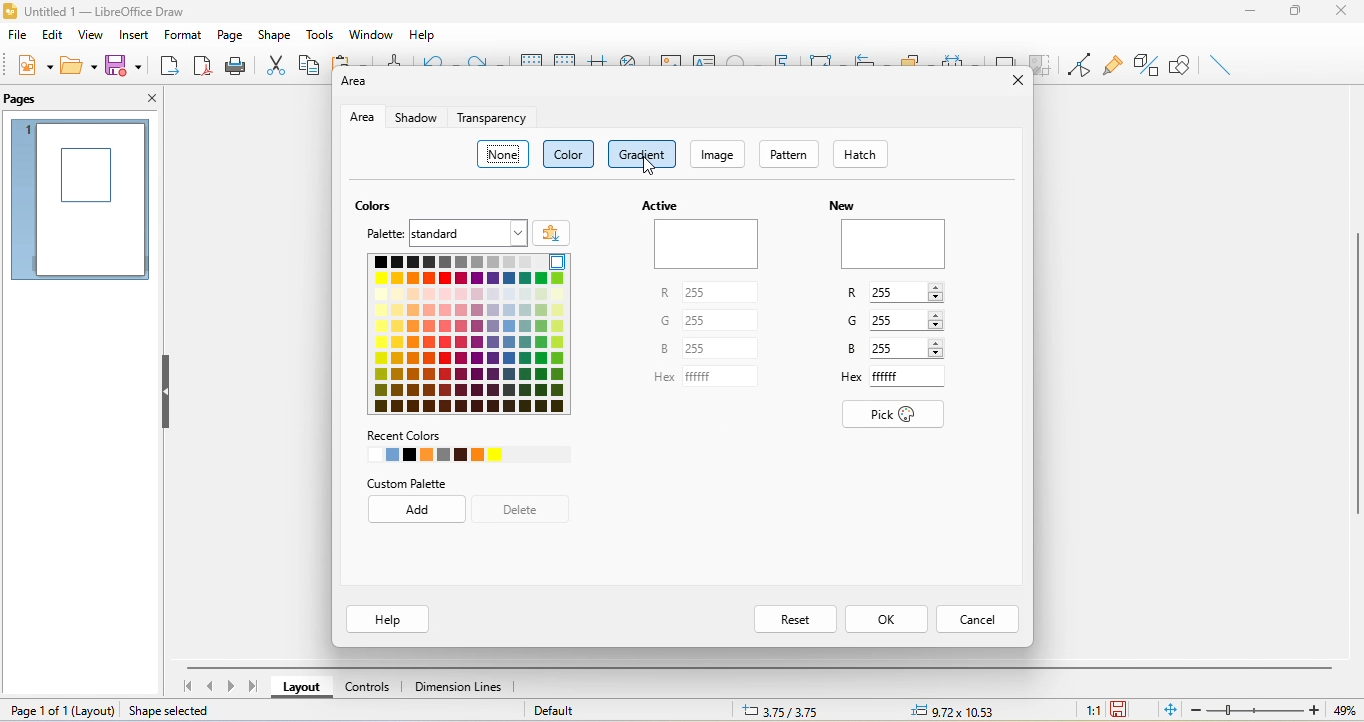  Describe the element at coordinates (661, 380) in the screenshot. I see `hex` at that location.